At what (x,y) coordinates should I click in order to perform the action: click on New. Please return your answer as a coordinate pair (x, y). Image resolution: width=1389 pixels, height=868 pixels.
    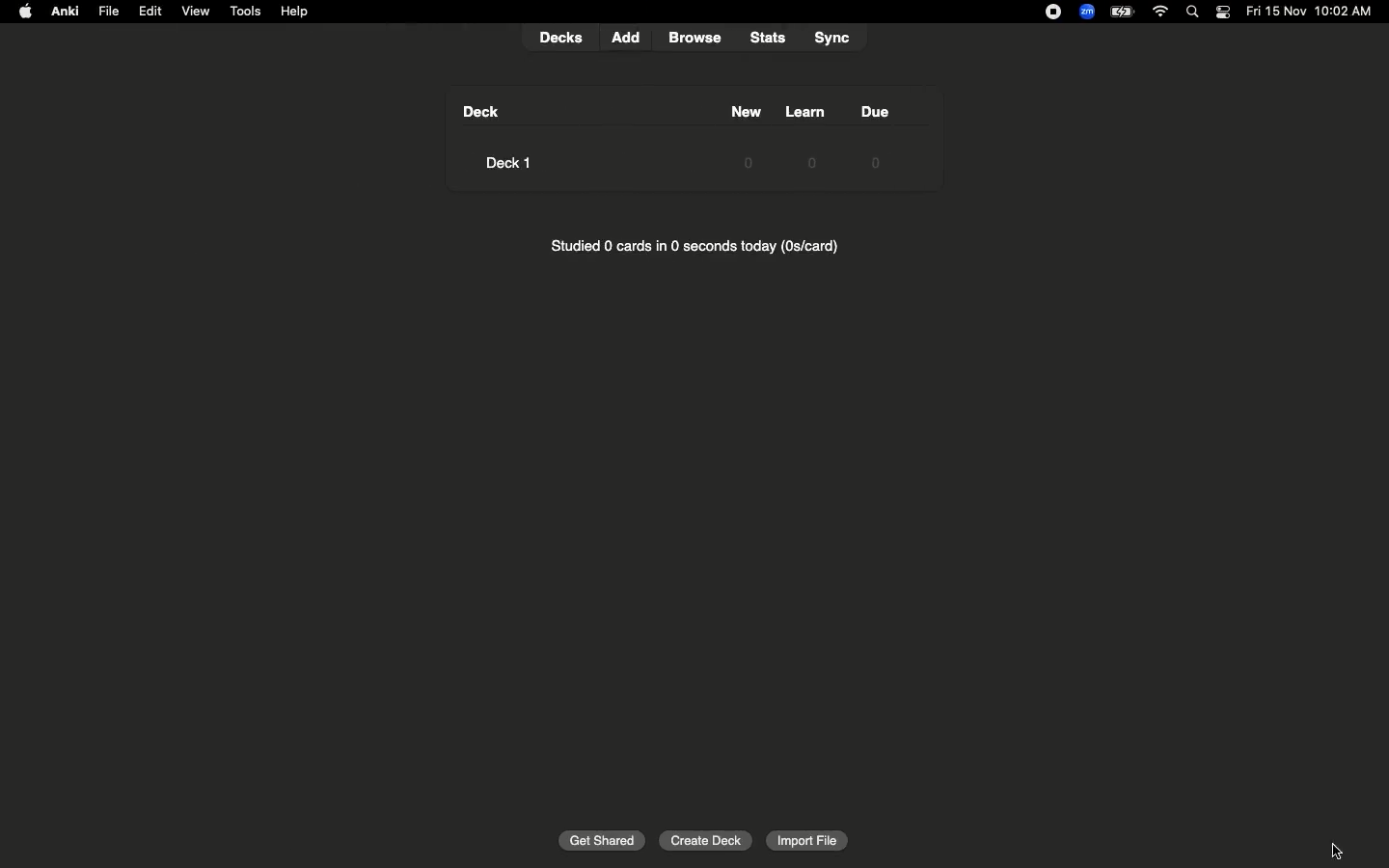
    Looking at the image, I should click on (733, 112).